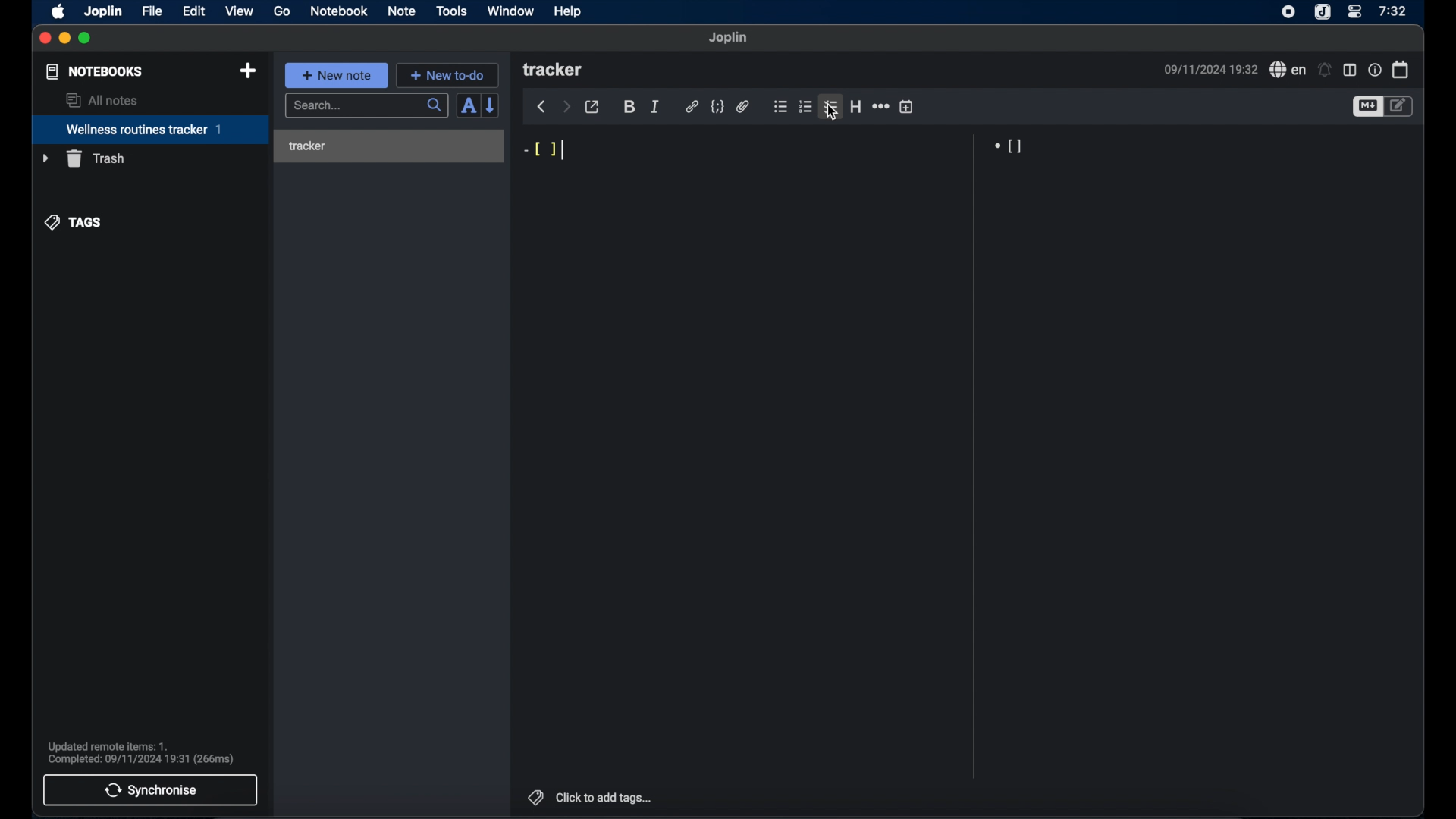 This screenshot has height=819, width=1456. I want to click on joplin, so click(729, 38).